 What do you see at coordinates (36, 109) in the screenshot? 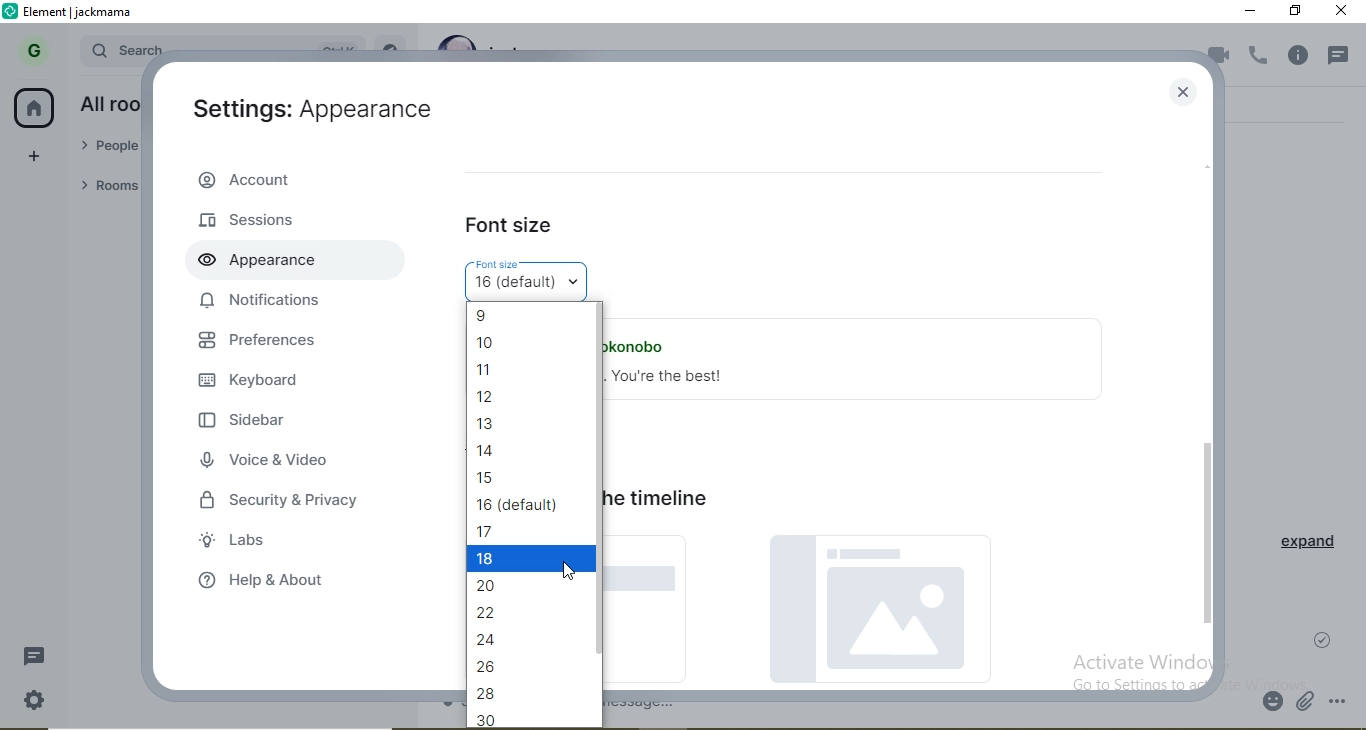
I see `home` at bounding box center [36, 109].